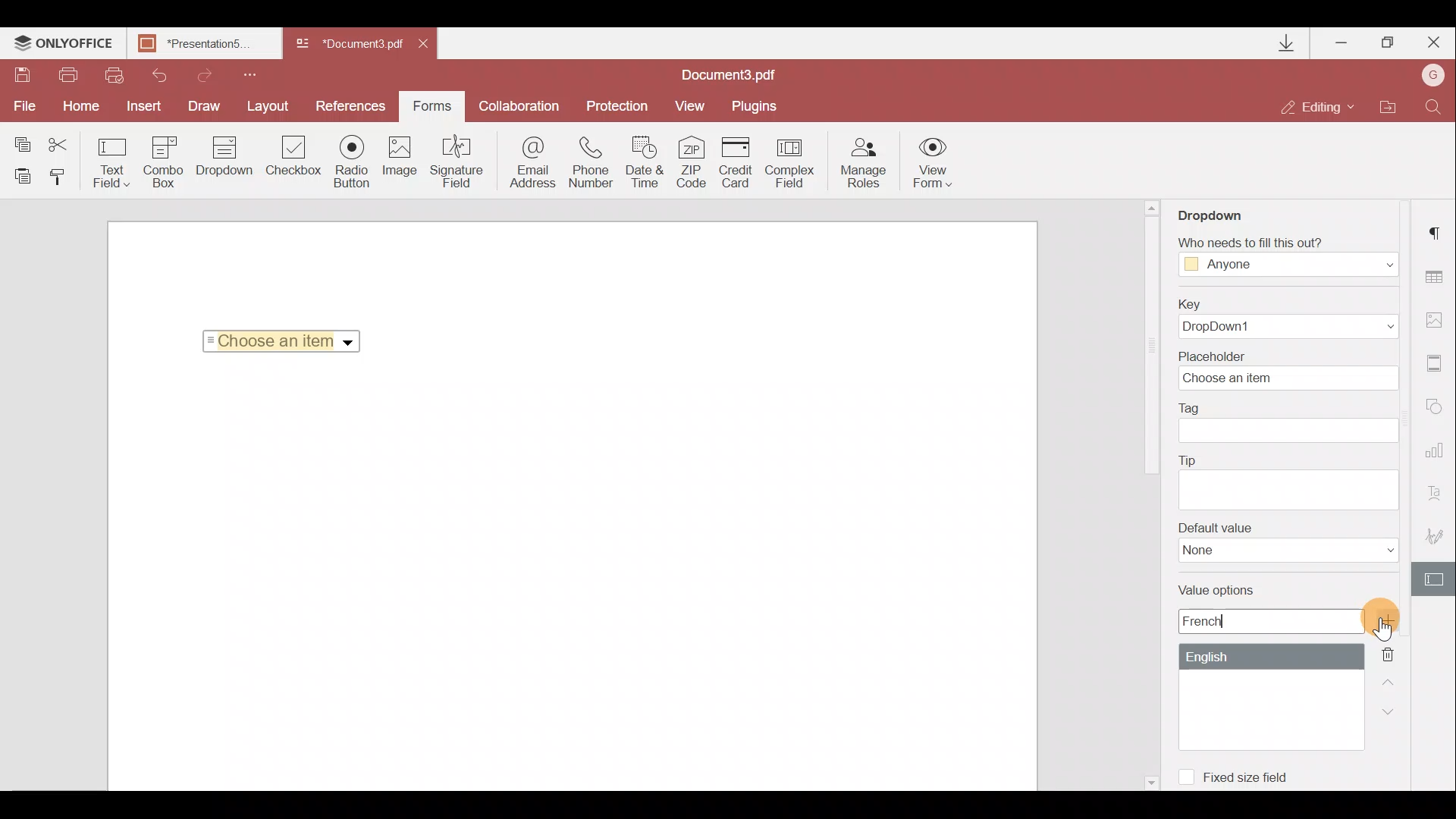  Describe the element at coordinates (863, 163) in the screenshot. I see `Manage roles` at that location.